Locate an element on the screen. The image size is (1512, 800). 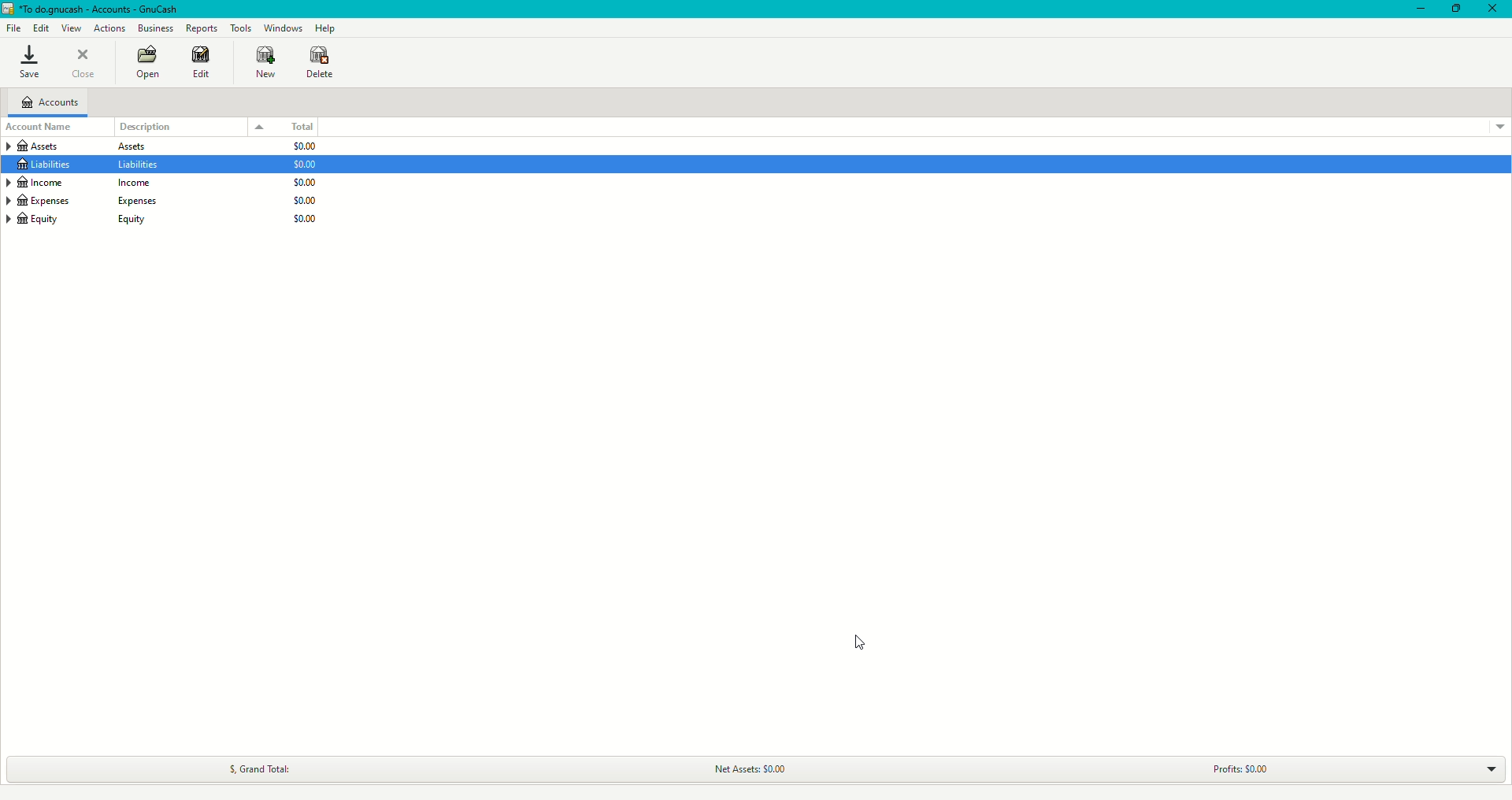
Equity is located at coordinates (83, 222).